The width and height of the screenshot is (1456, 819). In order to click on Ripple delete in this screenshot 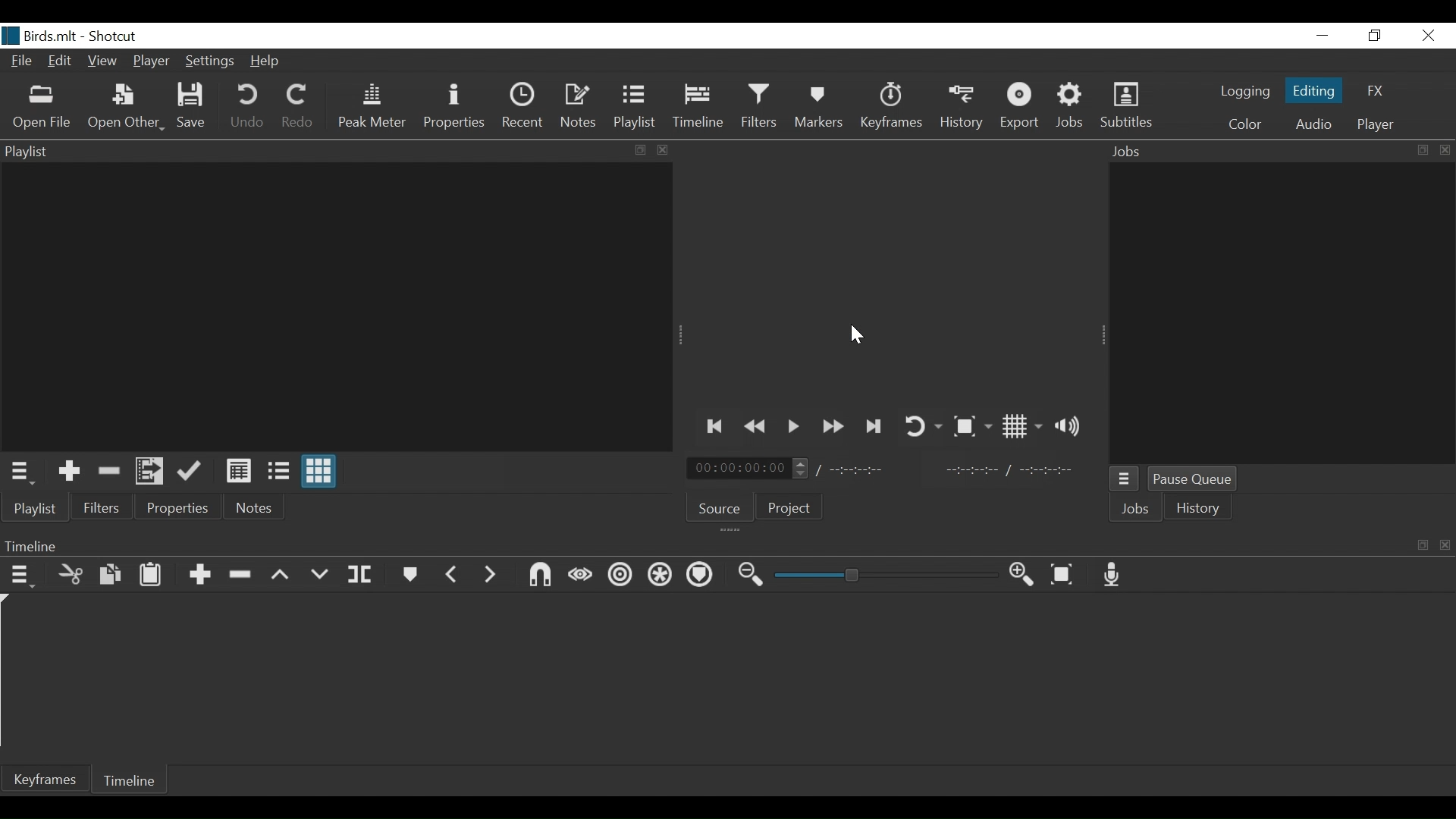, I will do `click(243, 575)`.